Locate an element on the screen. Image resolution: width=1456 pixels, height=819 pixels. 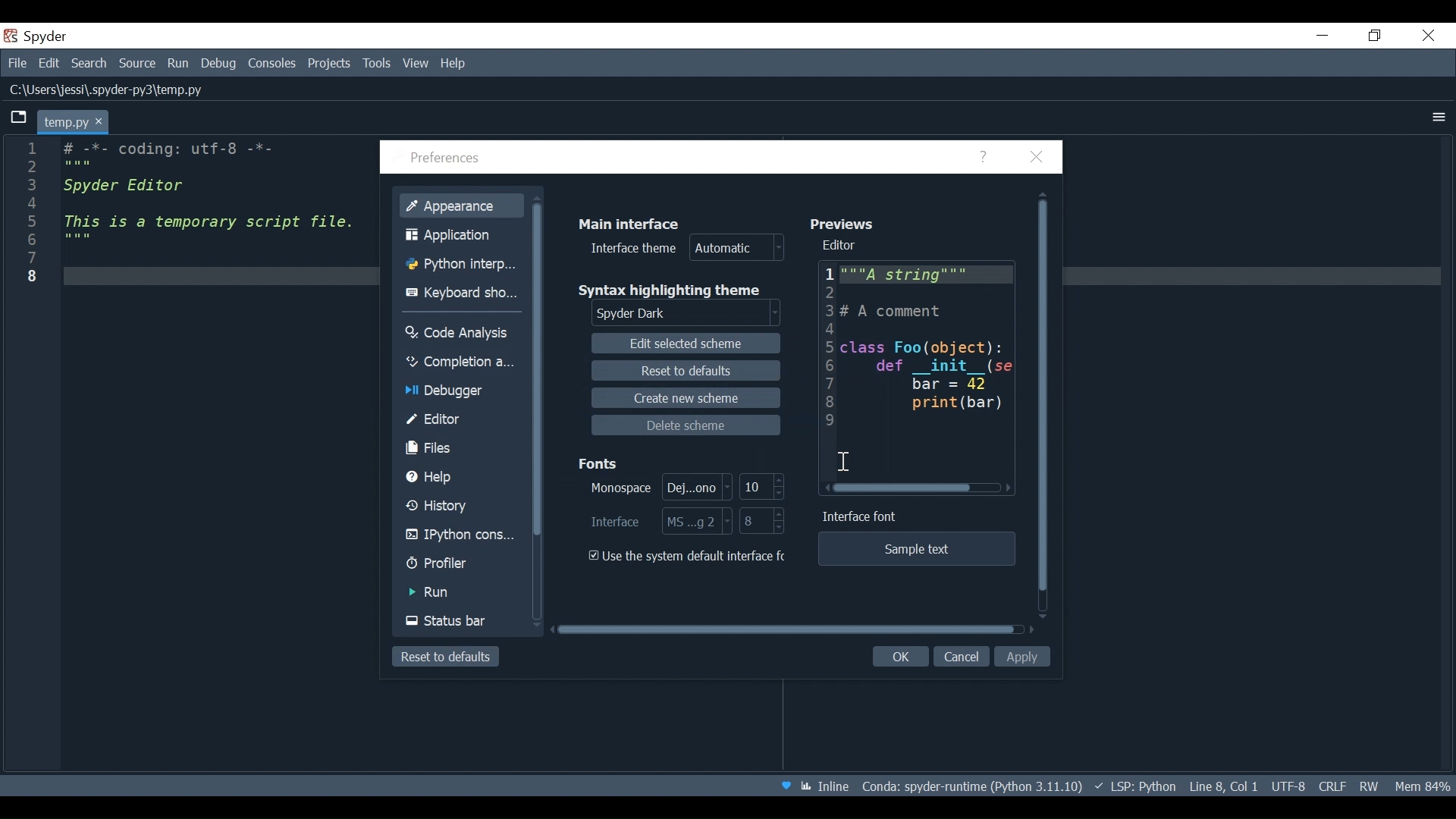
Delete scheme is located at coordinates (686, 425).